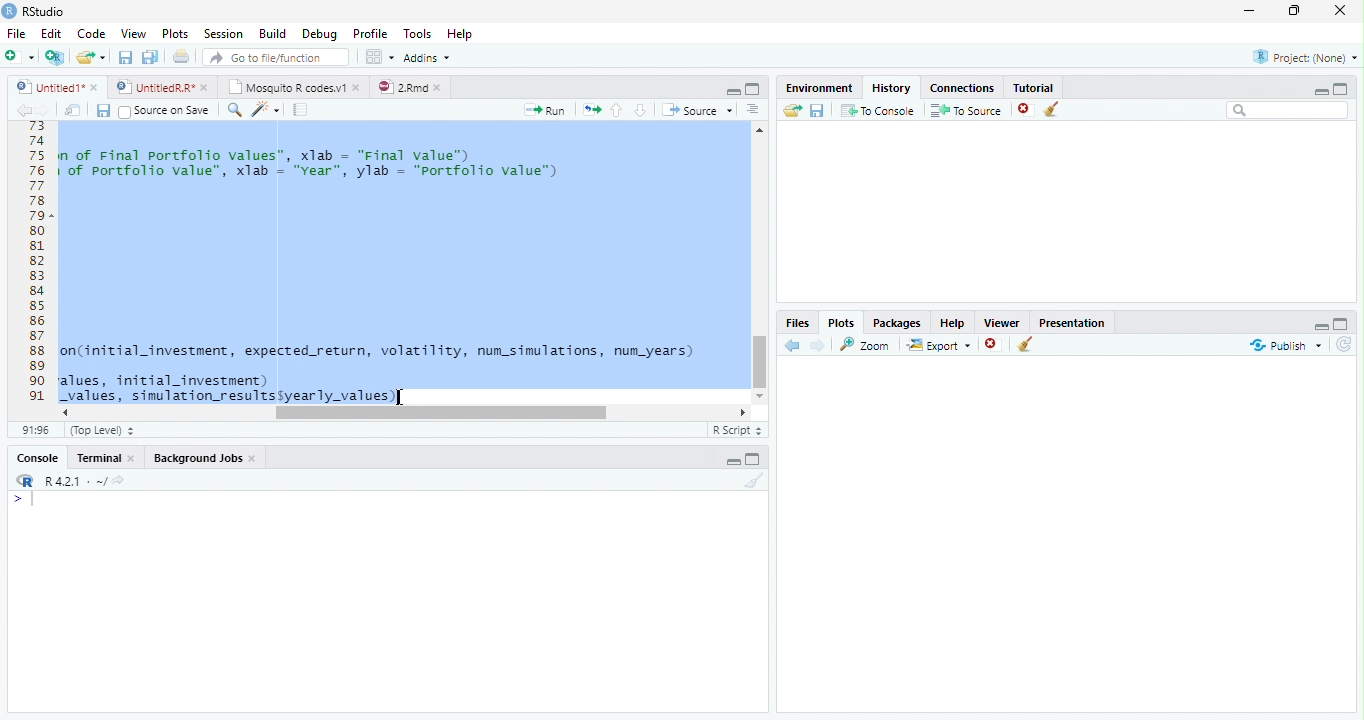 Image resolution: width=1364 pixels, height=720 pixels. Describe the element at coordinates (761, 393) in the screenshot. I see `Scroll down` at that location.